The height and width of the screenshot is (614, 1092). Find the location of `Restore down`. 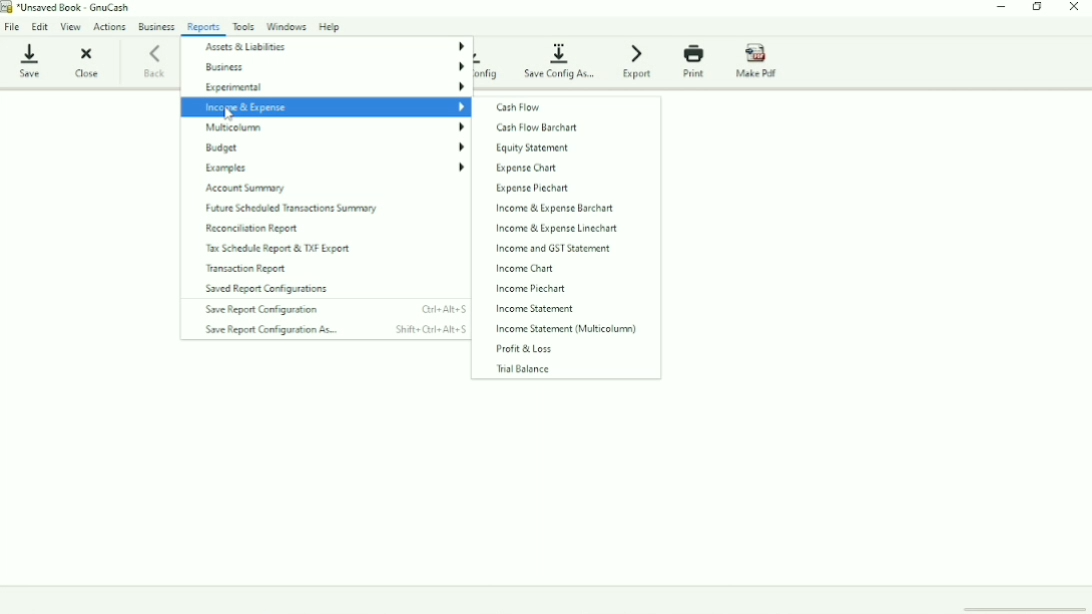

Restore down is located at coordinates (1038, 7).